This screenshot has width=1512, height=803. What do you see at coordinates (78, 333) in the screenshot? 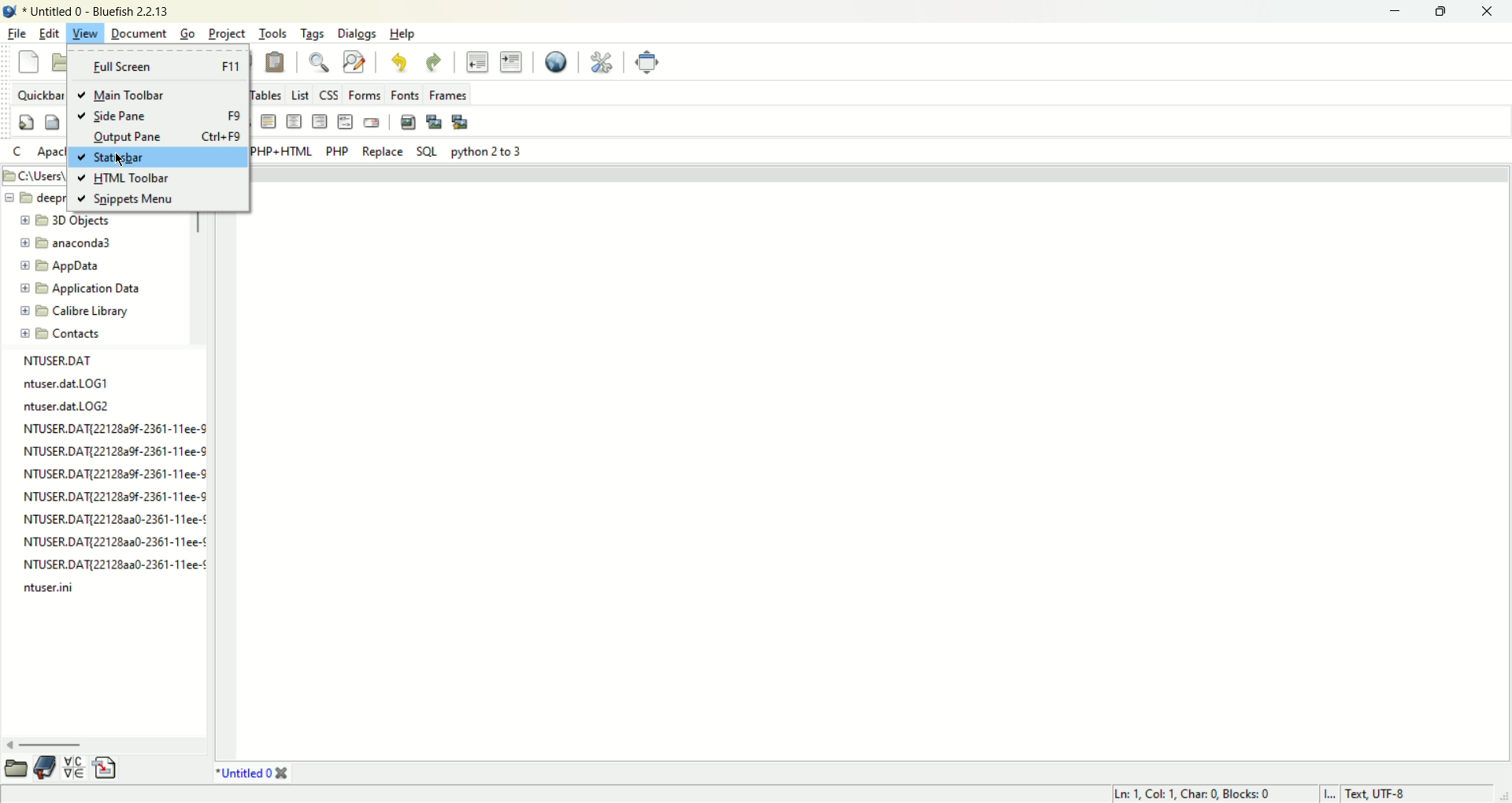
I see `Contacts` at bounding box center [78, 333].